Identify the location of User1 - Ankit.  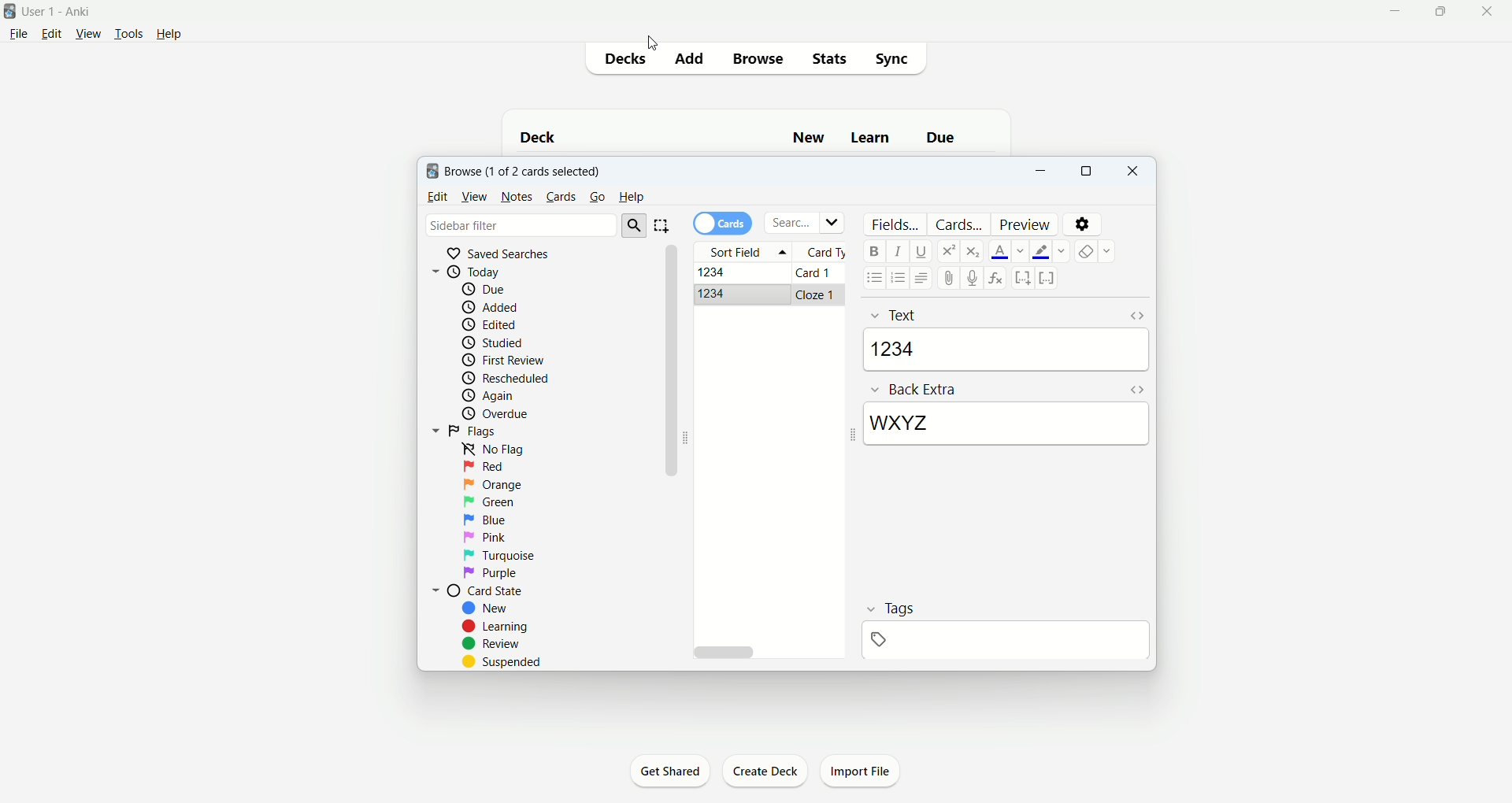
(56, 11).